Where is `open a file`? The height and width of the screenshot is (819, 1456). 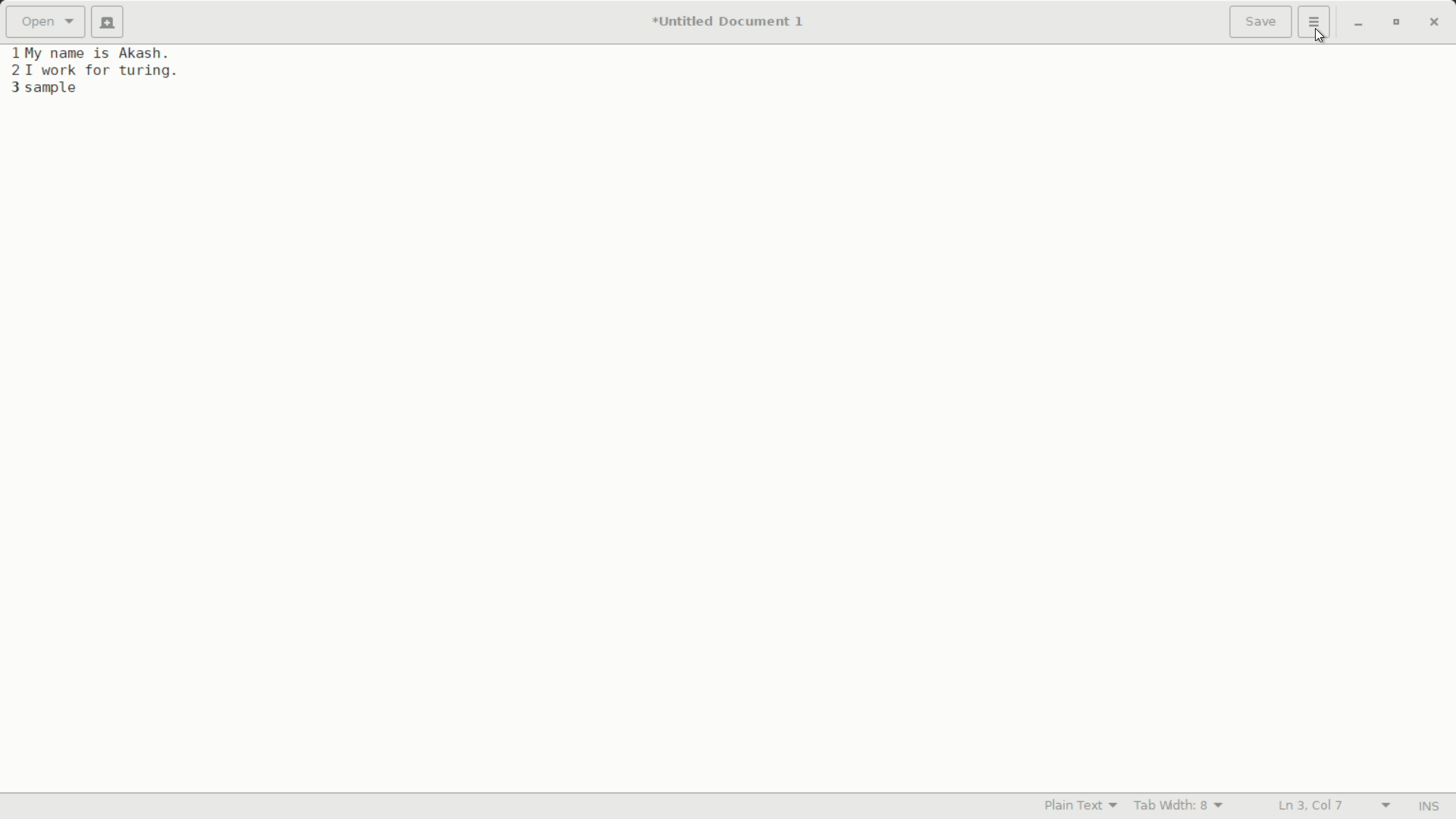 open a file is located at coordinates (45, 22).